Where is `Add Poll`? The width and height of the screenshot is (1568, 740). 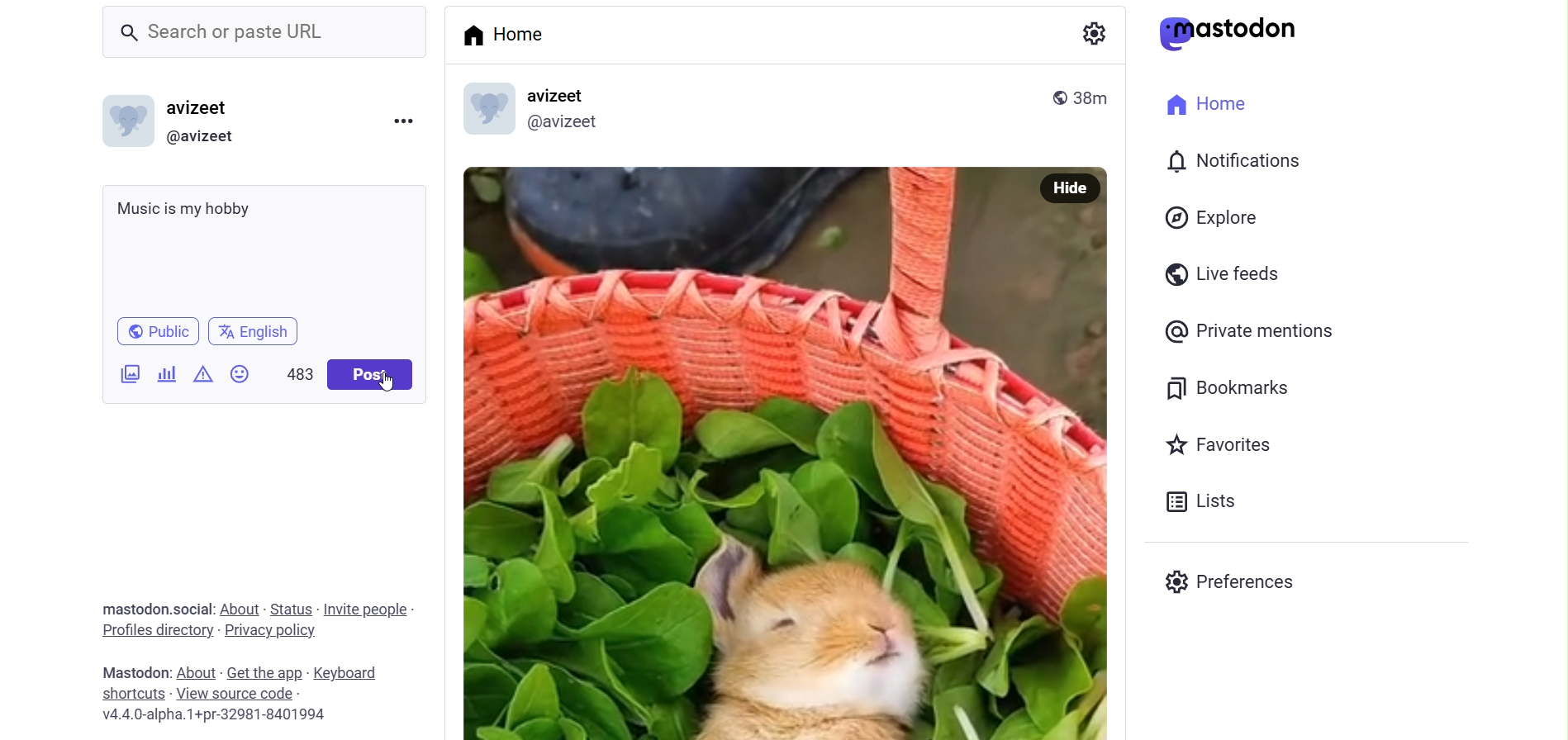
Add Poll is located at coordinates (167, 372).